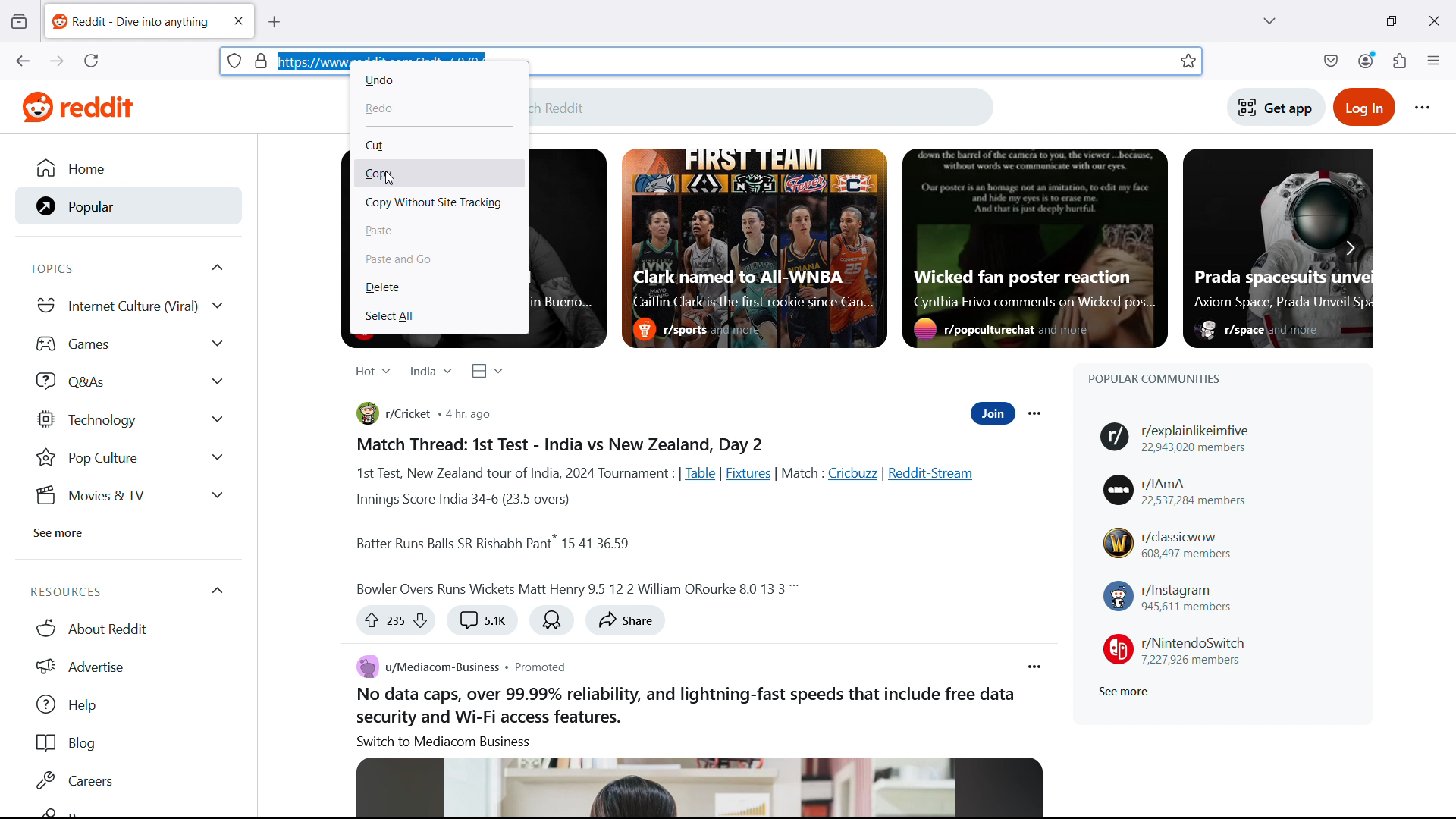 The height and width of the screenshot is (819, 1456). Describe the element at coordinates (1401, 59) in the screenshot. I see `extensions` at that location.